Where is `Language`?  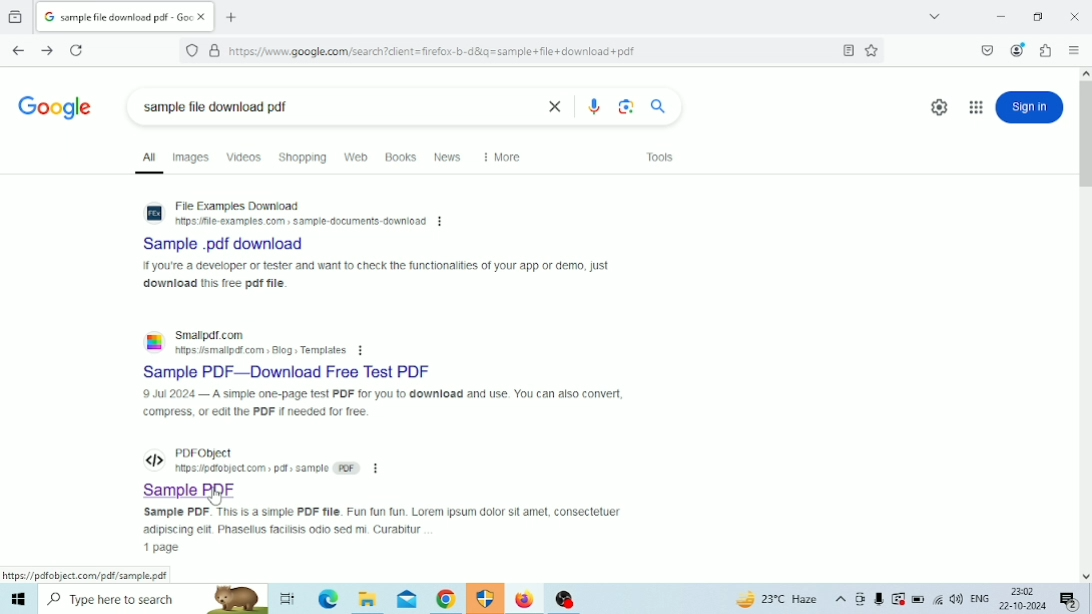
Language is located at coordinates (981, 598).